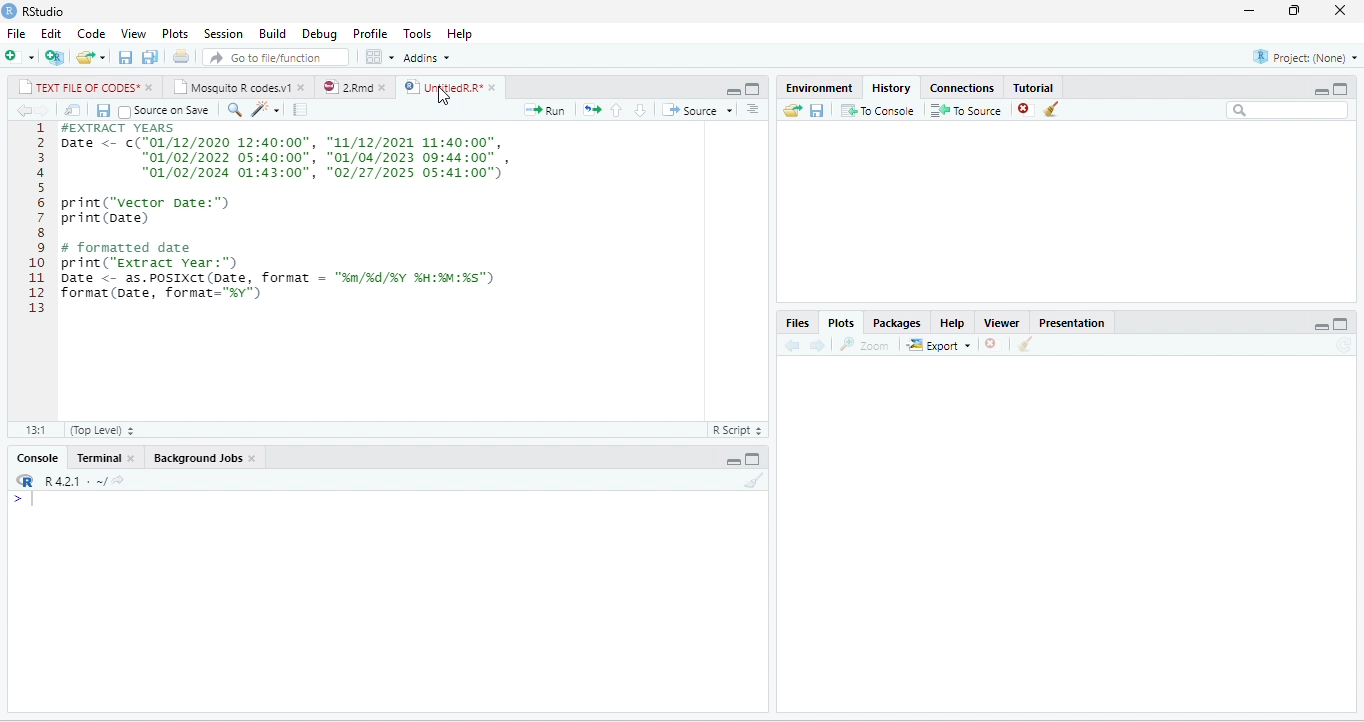  I want to click on Maximize, so click(1340, 89).